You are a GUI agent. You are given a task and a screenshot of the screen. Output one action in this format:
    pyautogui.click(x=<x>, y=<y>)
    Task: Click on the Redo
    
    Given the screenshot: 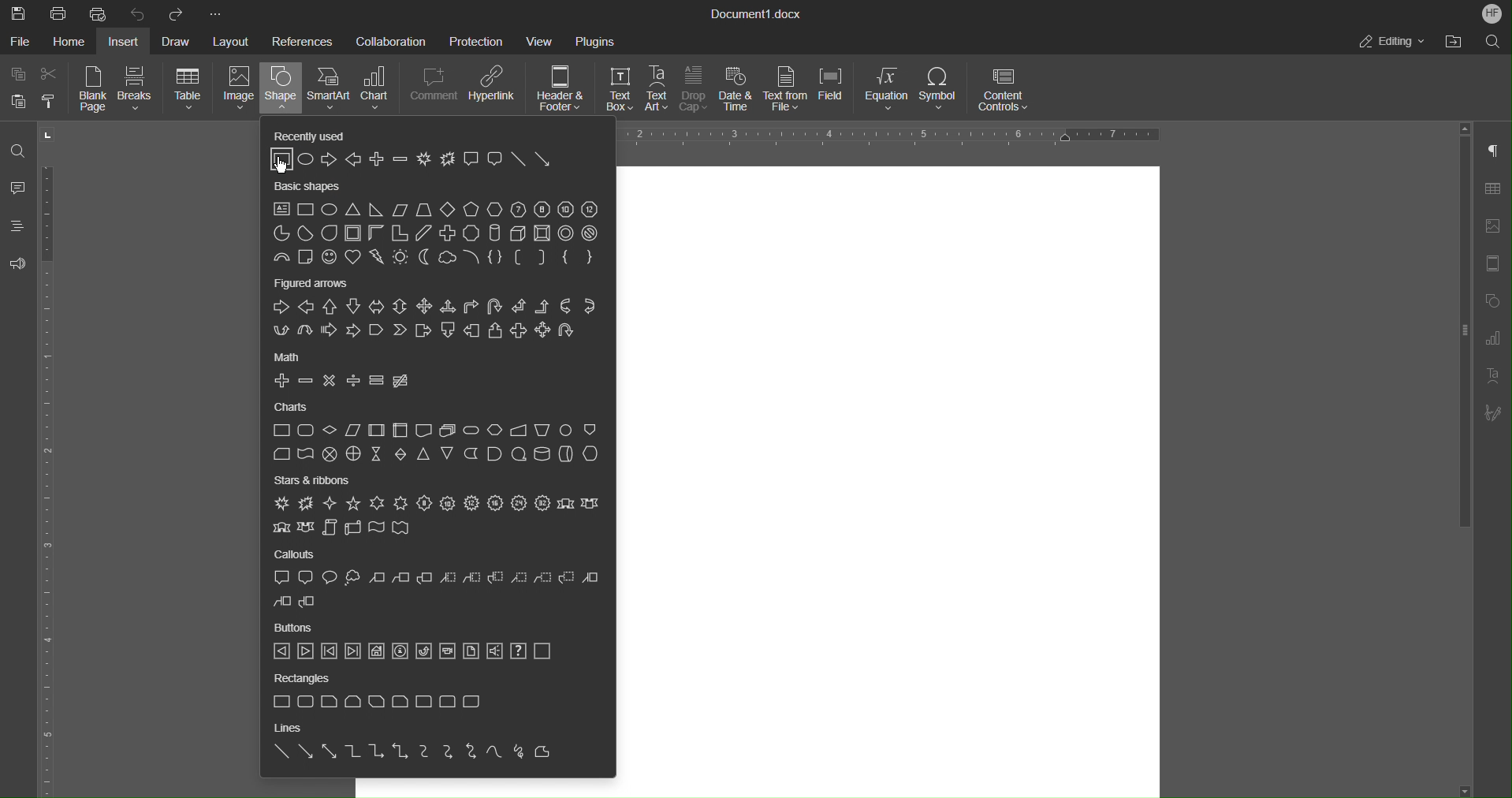 What is the action you would take?
    pyautogui.click(x=177, y=13)
    